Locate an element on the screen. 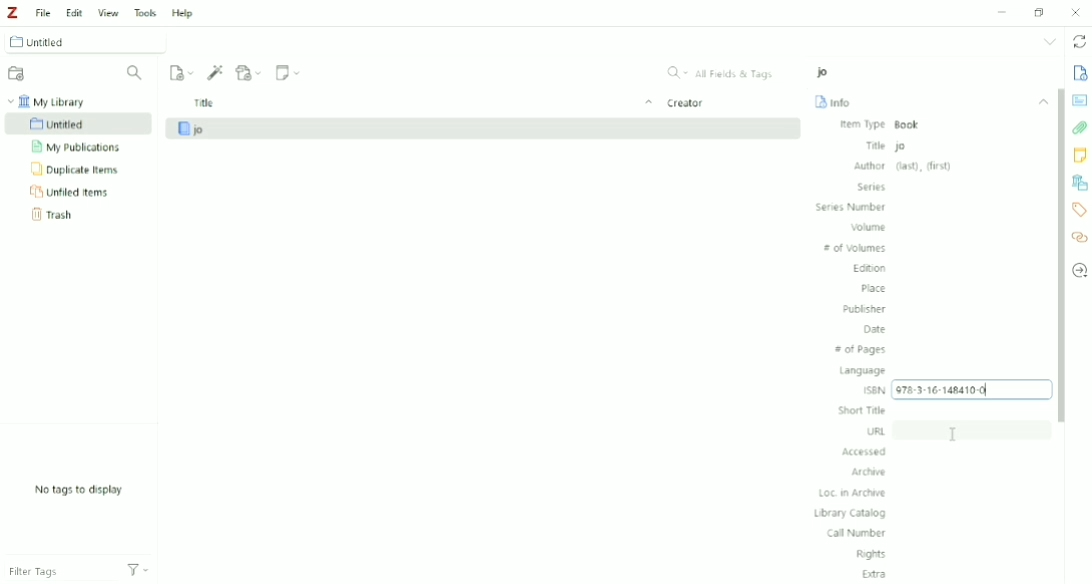 This screenshot has width=1092, height=584. Volume is located at coordinates (870, 228).